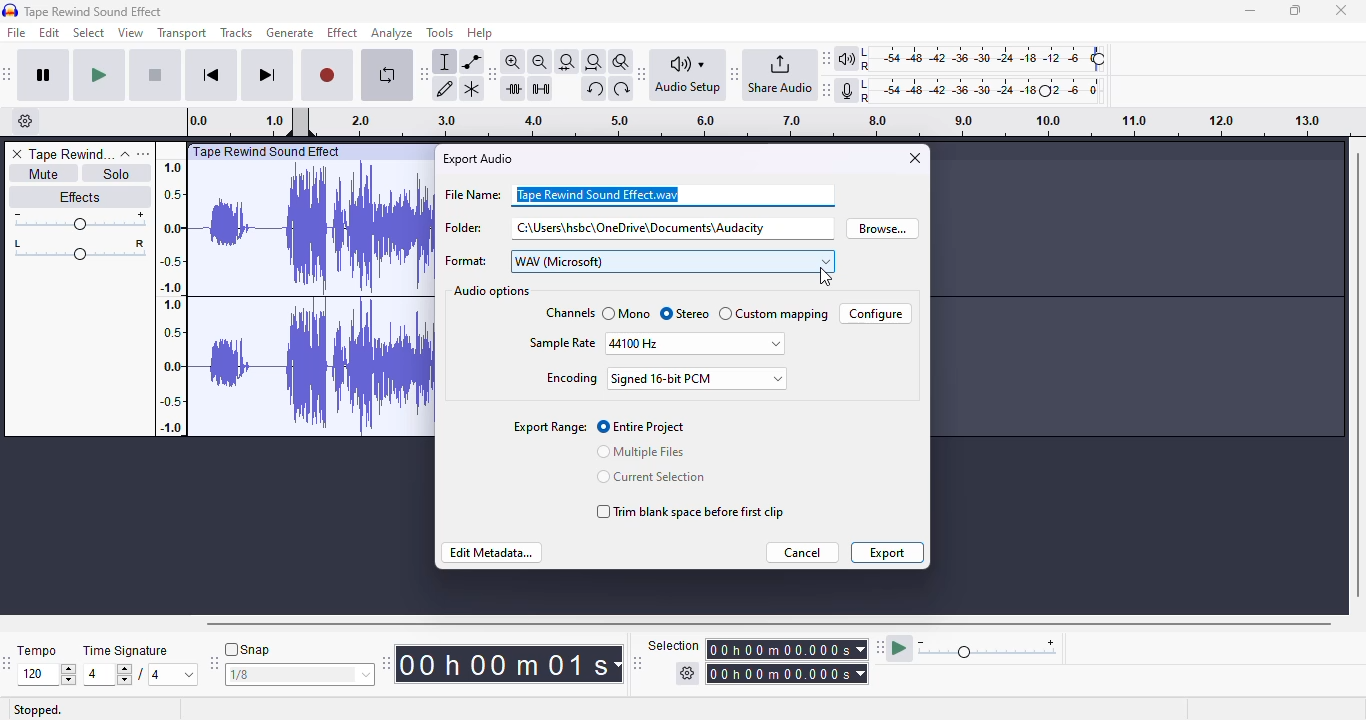  Describe the element at coordinates (492, 291) in the screenshot. I see `audio options` at that location.